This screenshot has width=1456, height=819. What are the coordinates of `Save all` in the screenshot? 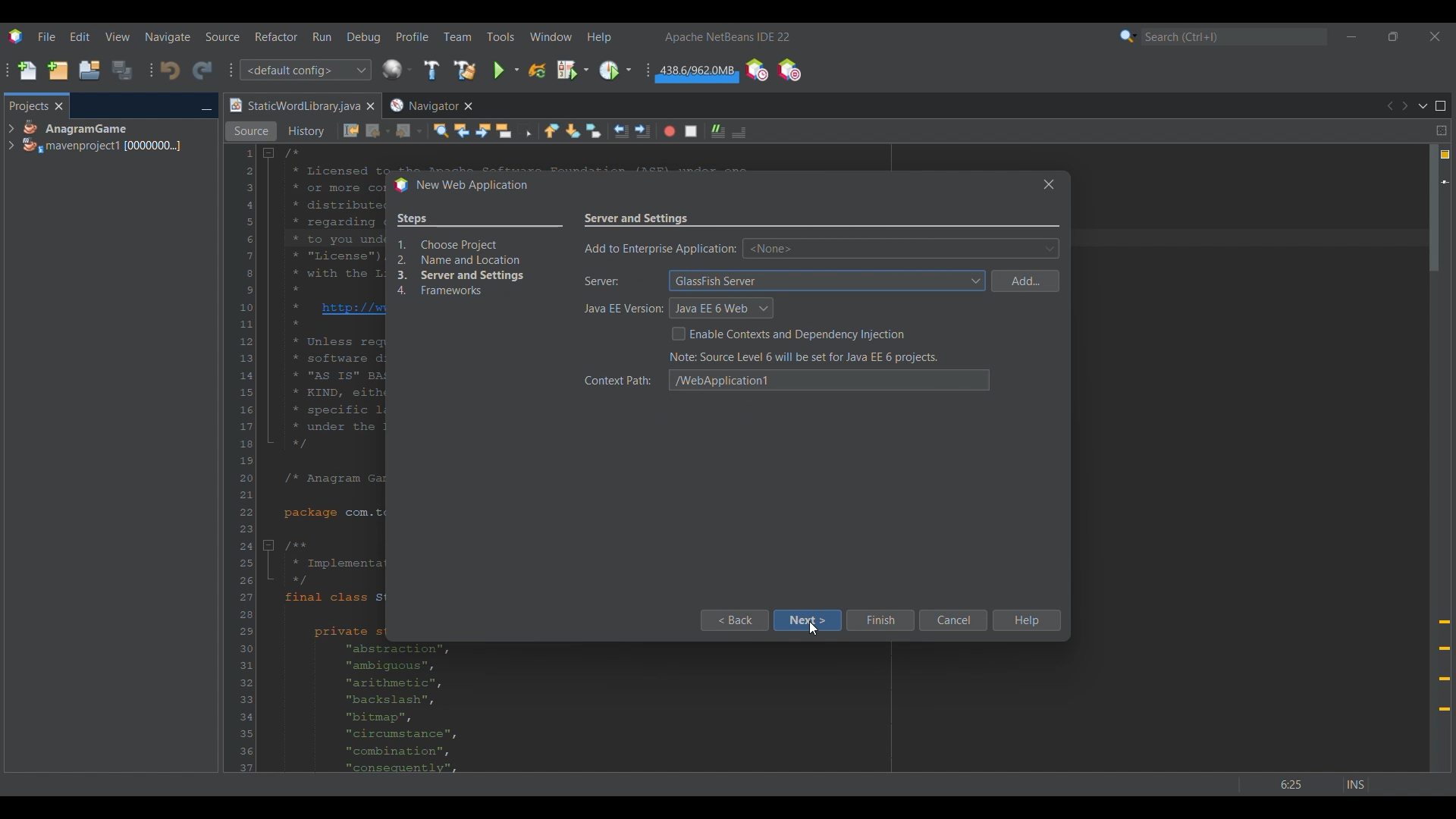 It's located at (122, 70).